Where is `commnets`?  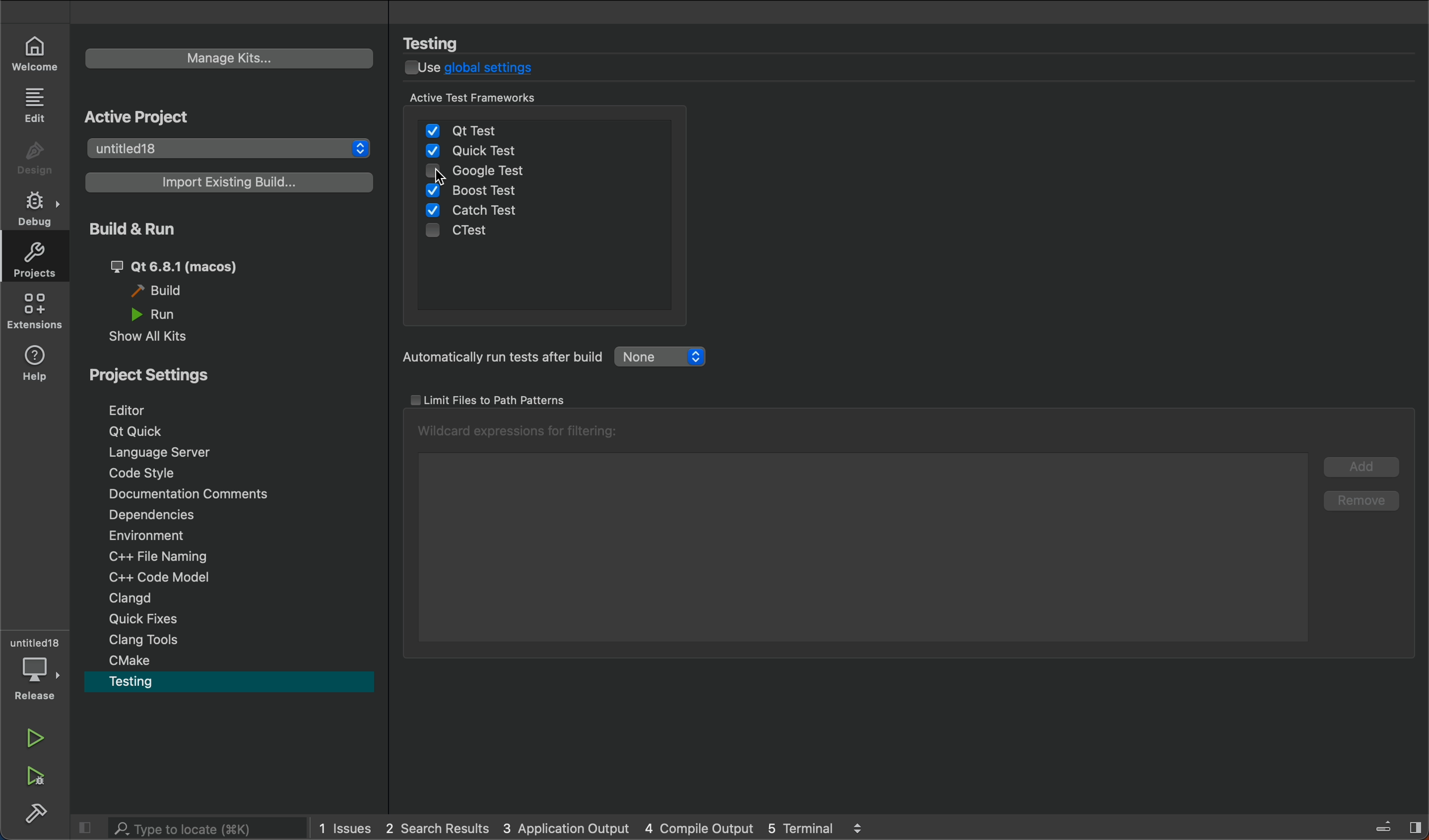 commnets is located at coordinates (230, 496).